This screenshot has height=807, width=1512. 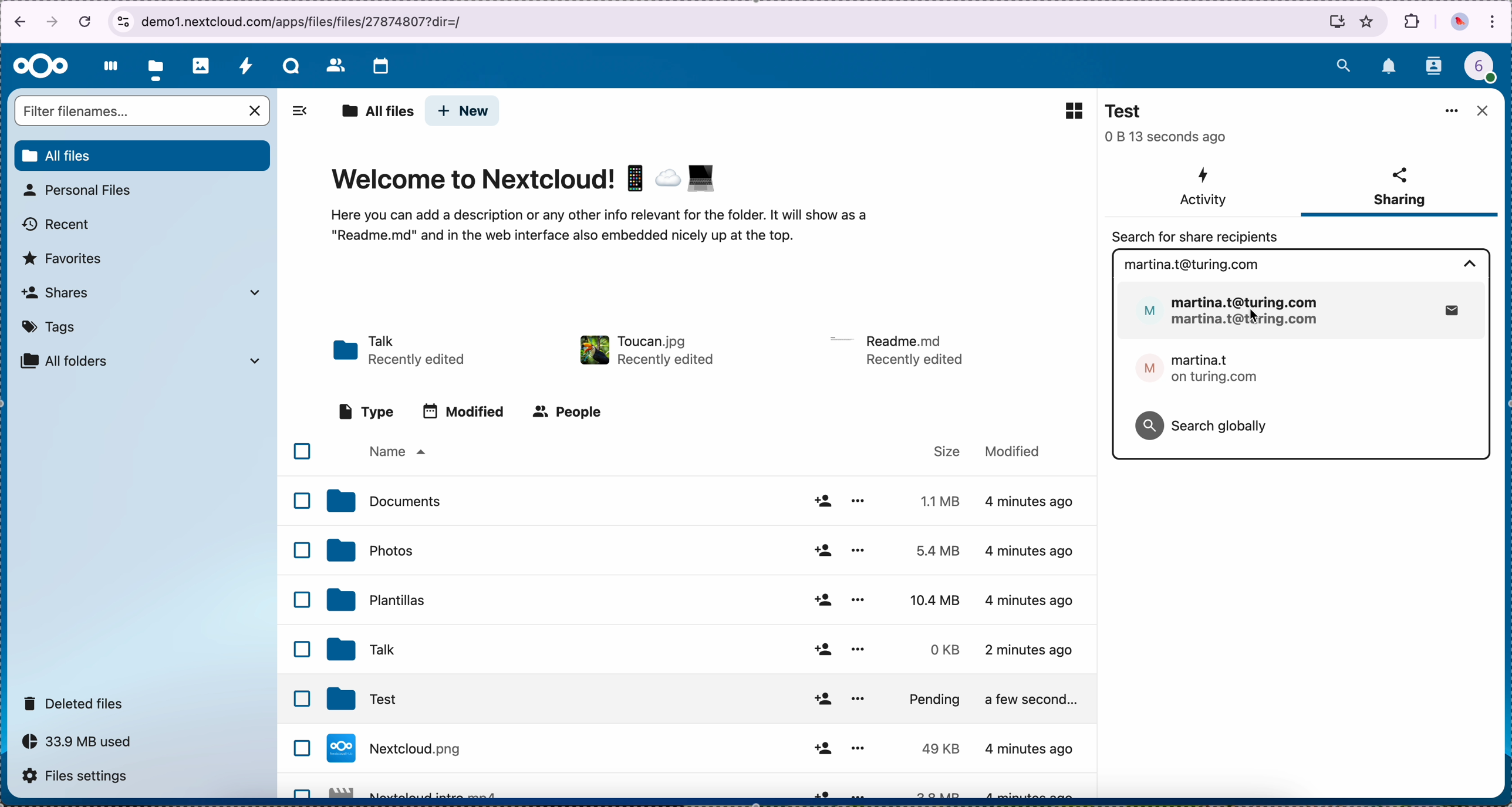 I want to click on cancel, so click(x=87, y=21).